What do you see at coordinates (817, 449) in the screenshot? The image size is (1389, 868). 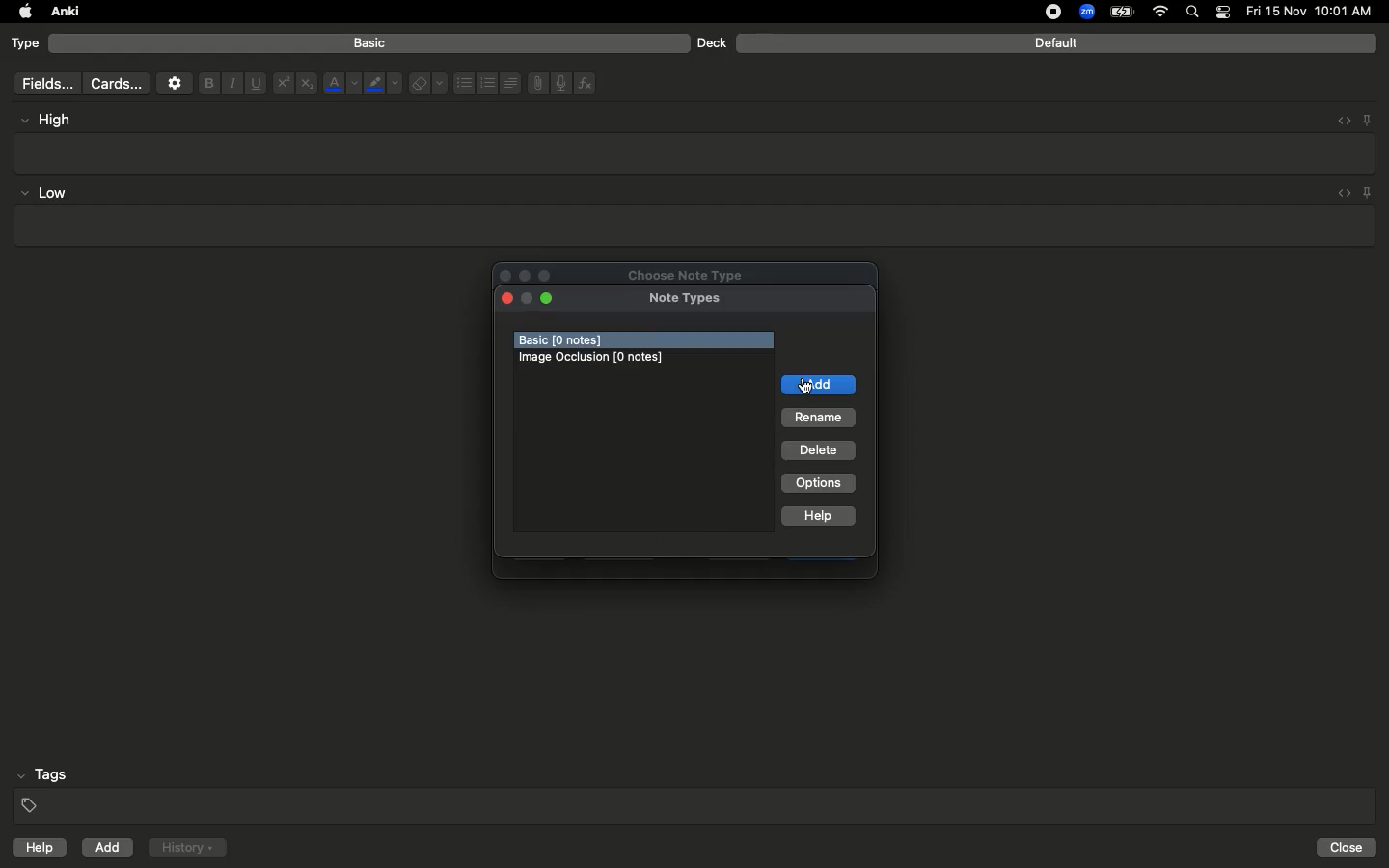 I see `Delete` at bounding box center [817, 449].